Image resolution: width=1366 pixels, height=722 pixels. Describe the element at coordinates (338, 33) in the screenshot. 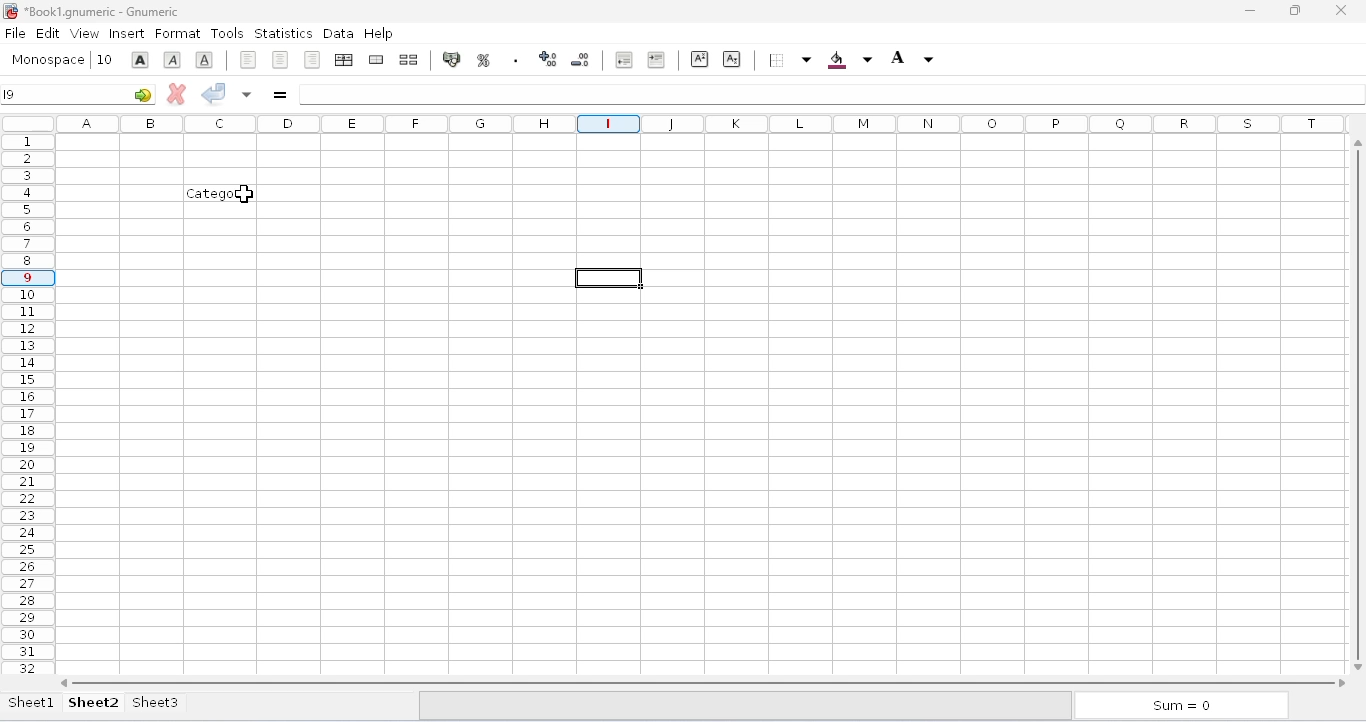

I see `data` at that location.